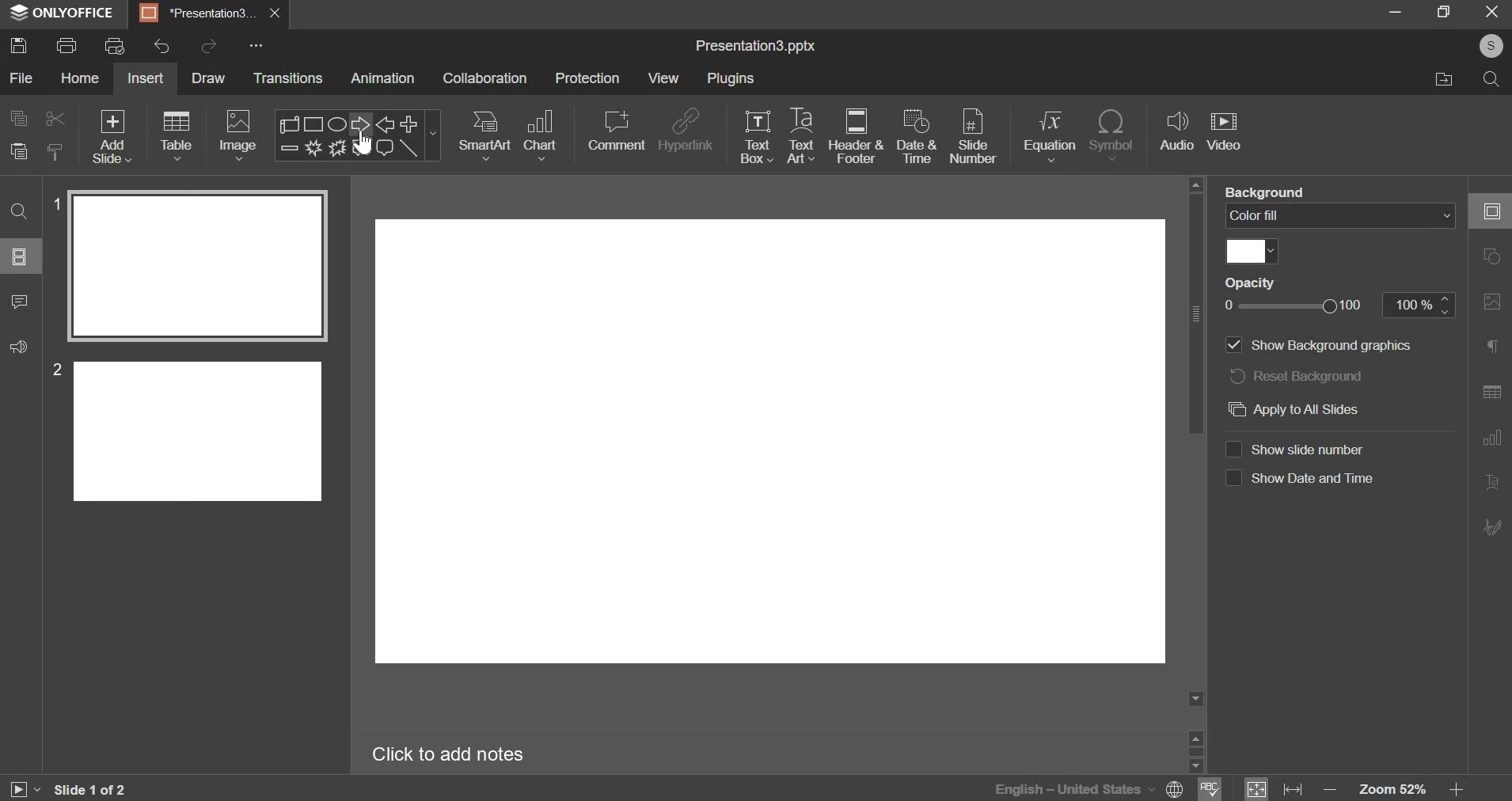  Describe the element at coordinates (1494, 82) in the screenshot. I see `search` at that location.